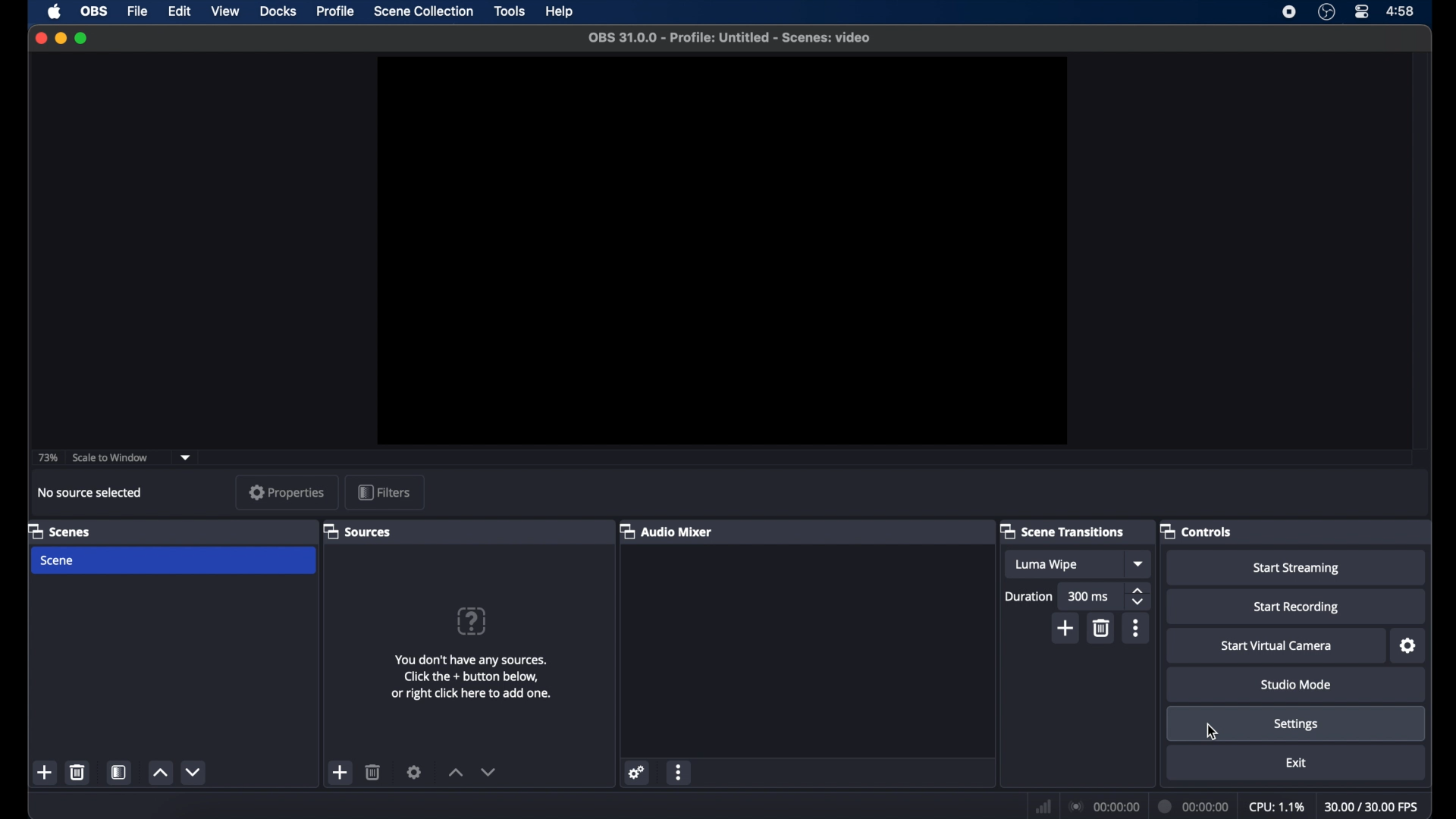  Describe the element at coordinates (1278, 808) in the screenshot. I see `cpu: 1.1%` at that location.